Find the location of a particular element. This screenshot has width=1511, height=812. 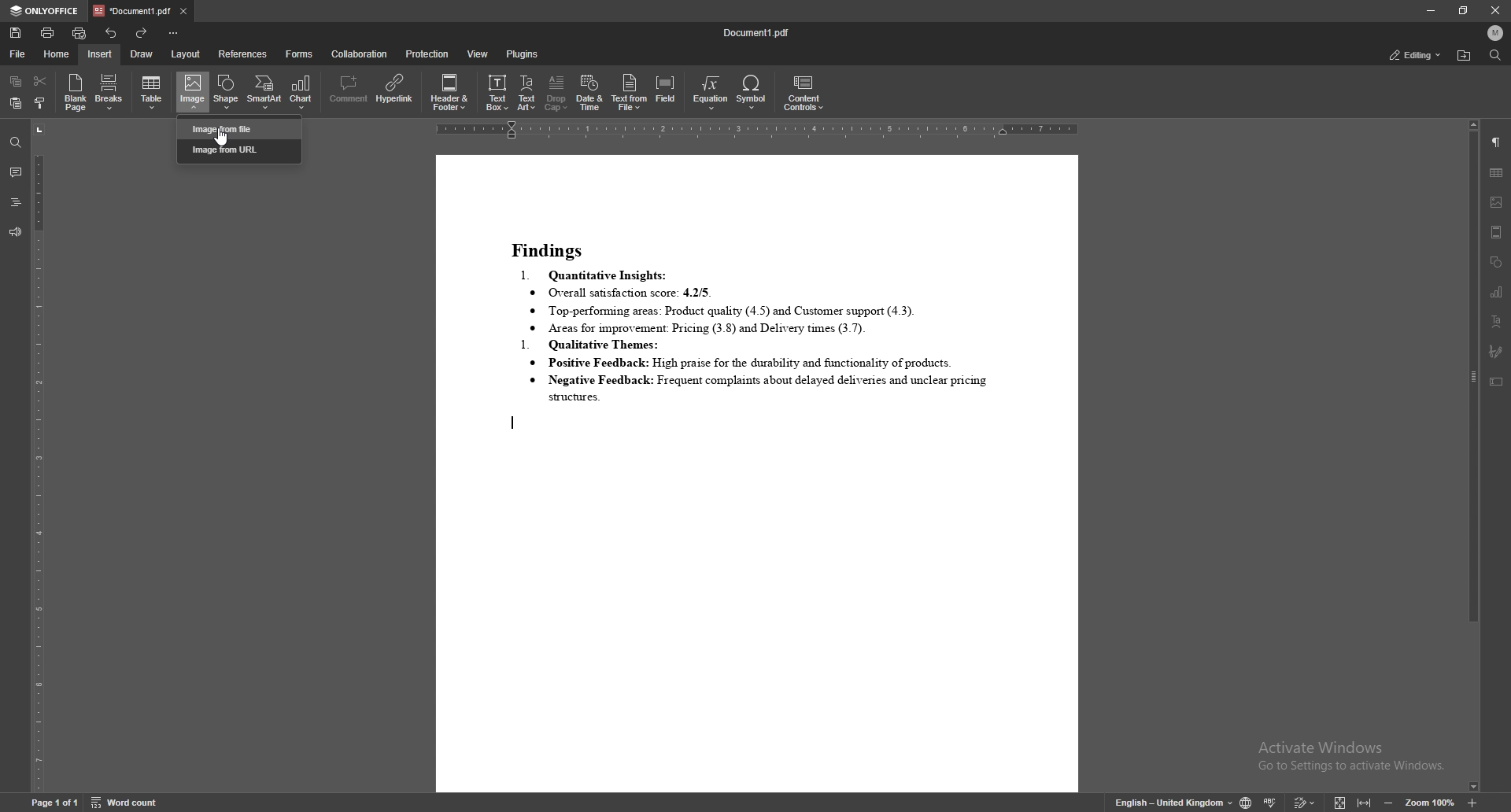

forms is located at coordinates (301, 54).